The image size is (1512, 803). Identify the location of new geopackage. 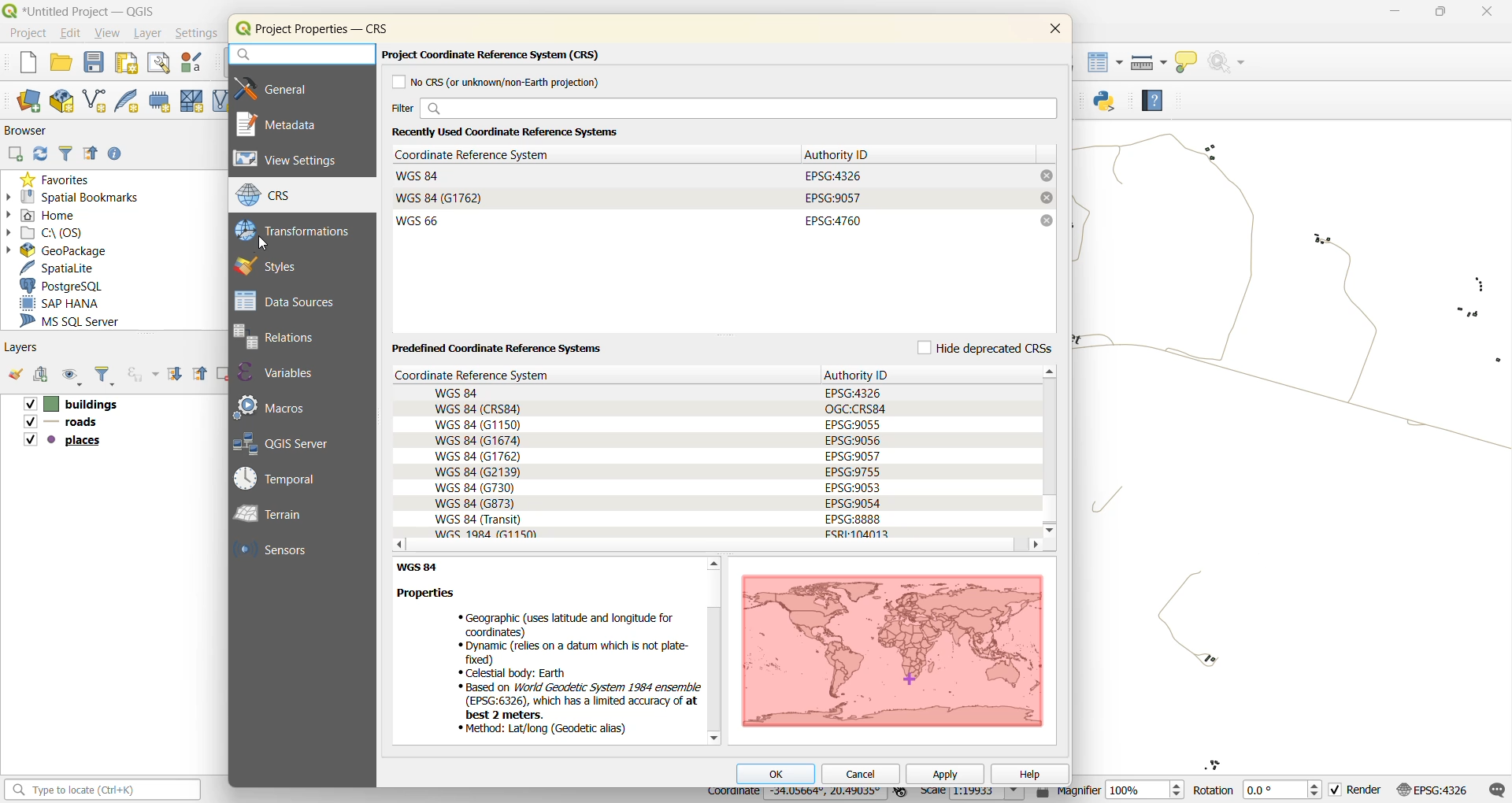
(61, 99).